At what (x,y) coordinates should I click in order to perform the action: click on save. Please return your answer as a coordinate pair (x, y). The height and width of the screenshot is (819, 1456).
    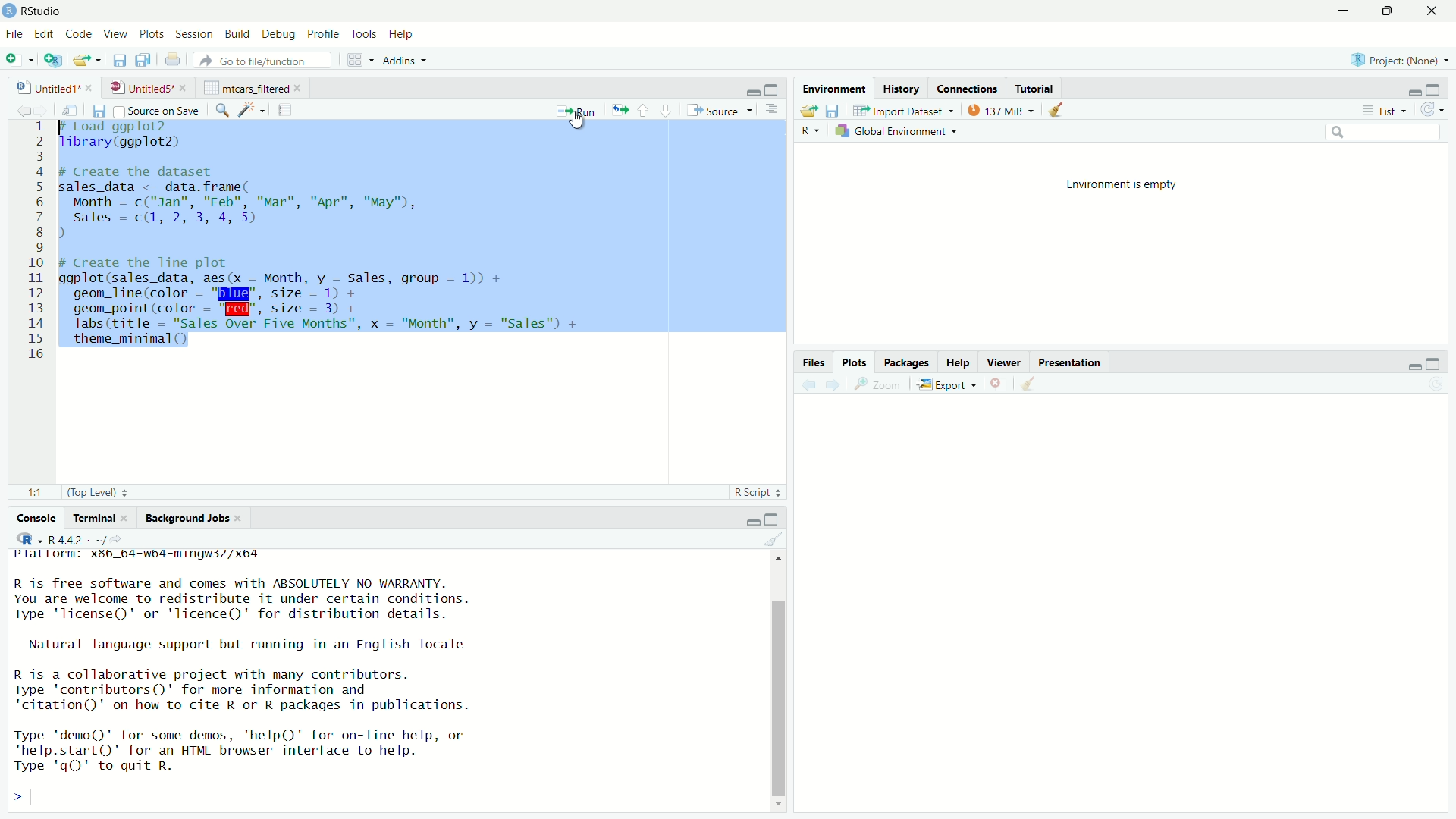
    Looking at the image, I should click on (121, 61).